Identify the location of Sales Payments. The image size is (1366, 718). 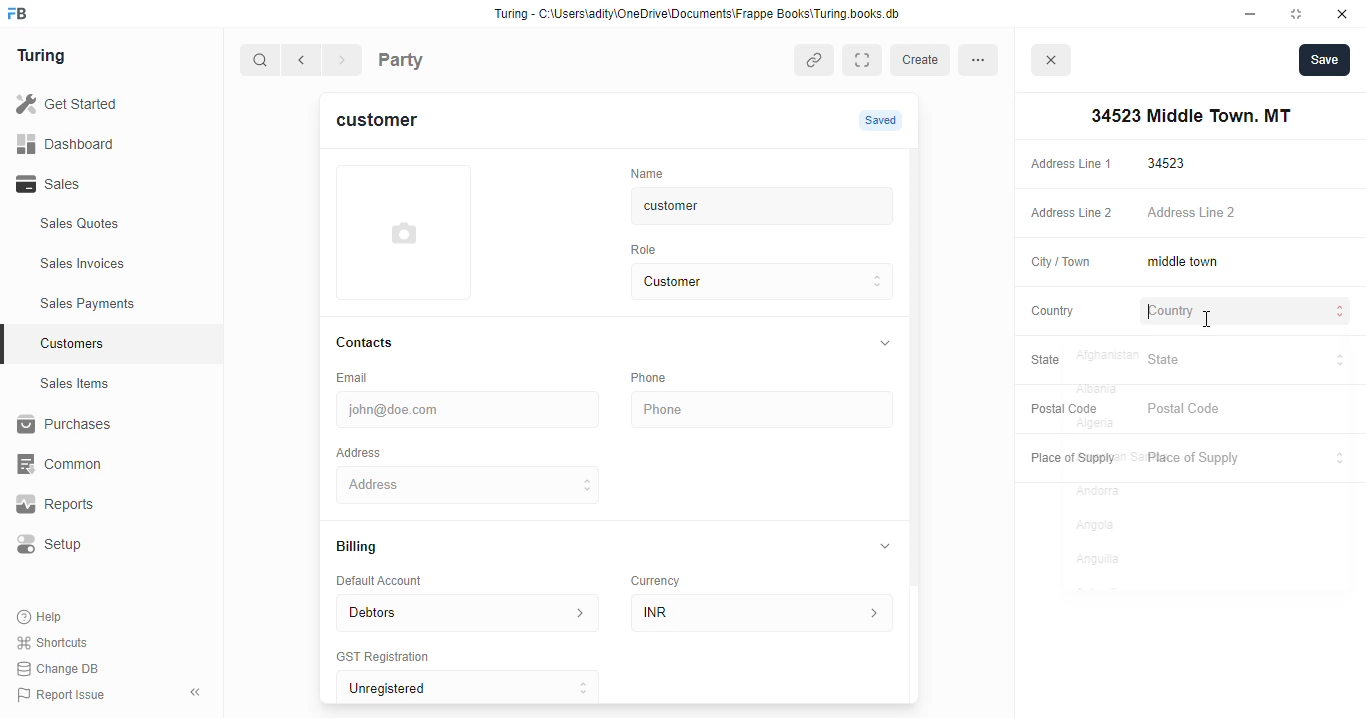
(118, 304).